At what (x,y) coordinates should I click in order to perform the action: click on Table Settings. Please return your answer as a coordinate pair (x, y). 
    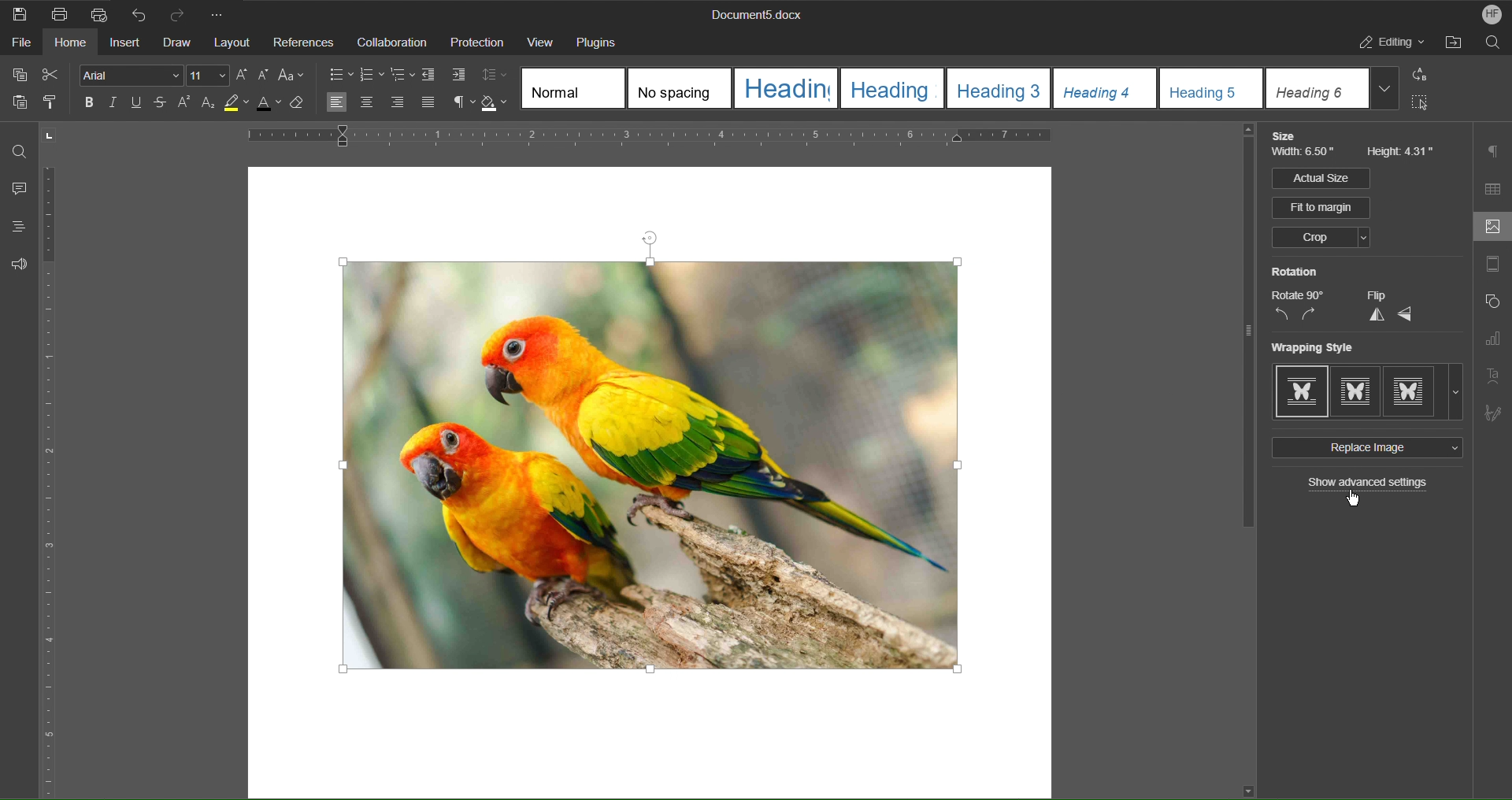
    Looking at the image, I should click on (1493, 189).